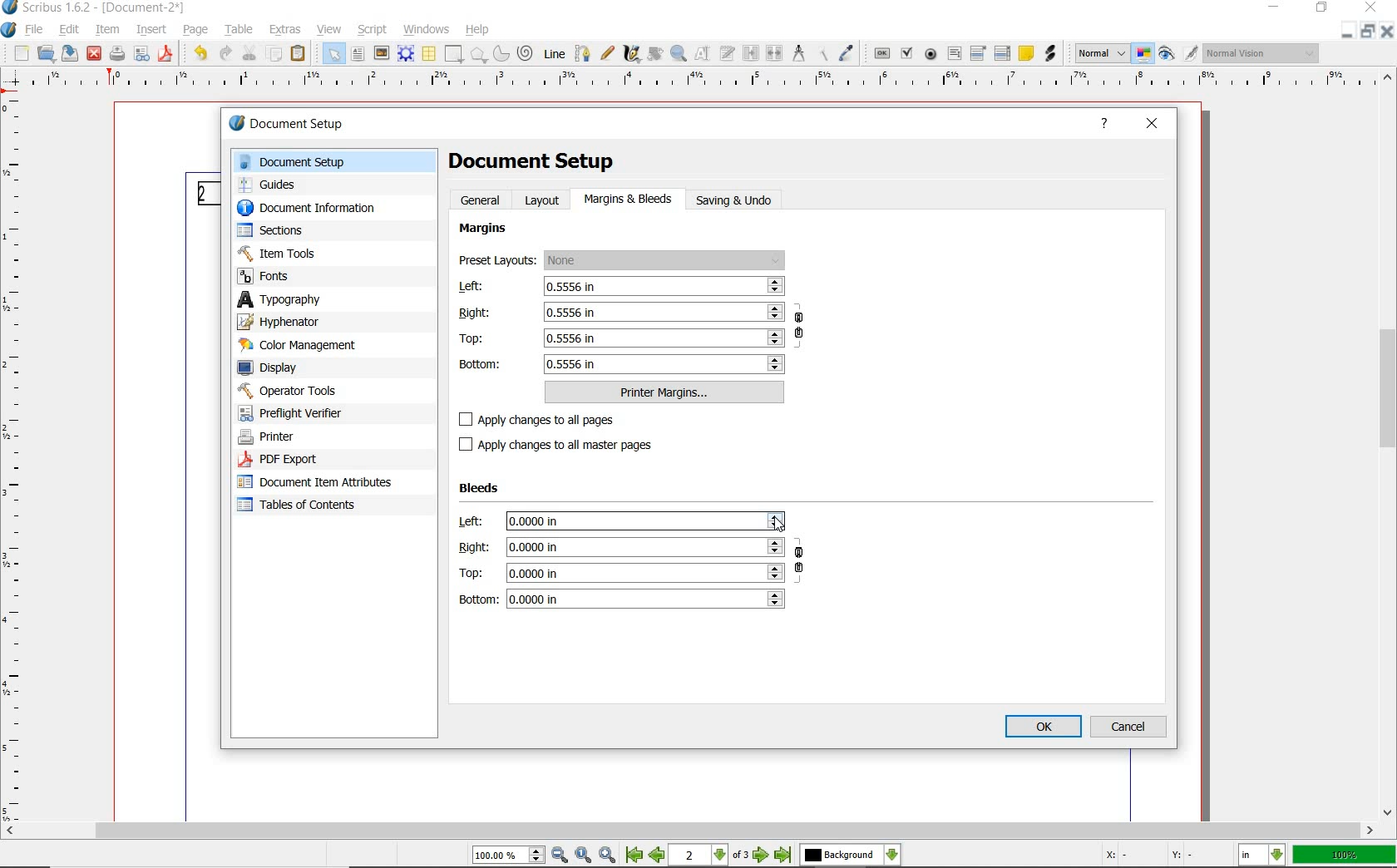  What do you see at coordinates (1051, 54) in the screenshot?
I see `link annotation` at bounding box center [1051, 54].